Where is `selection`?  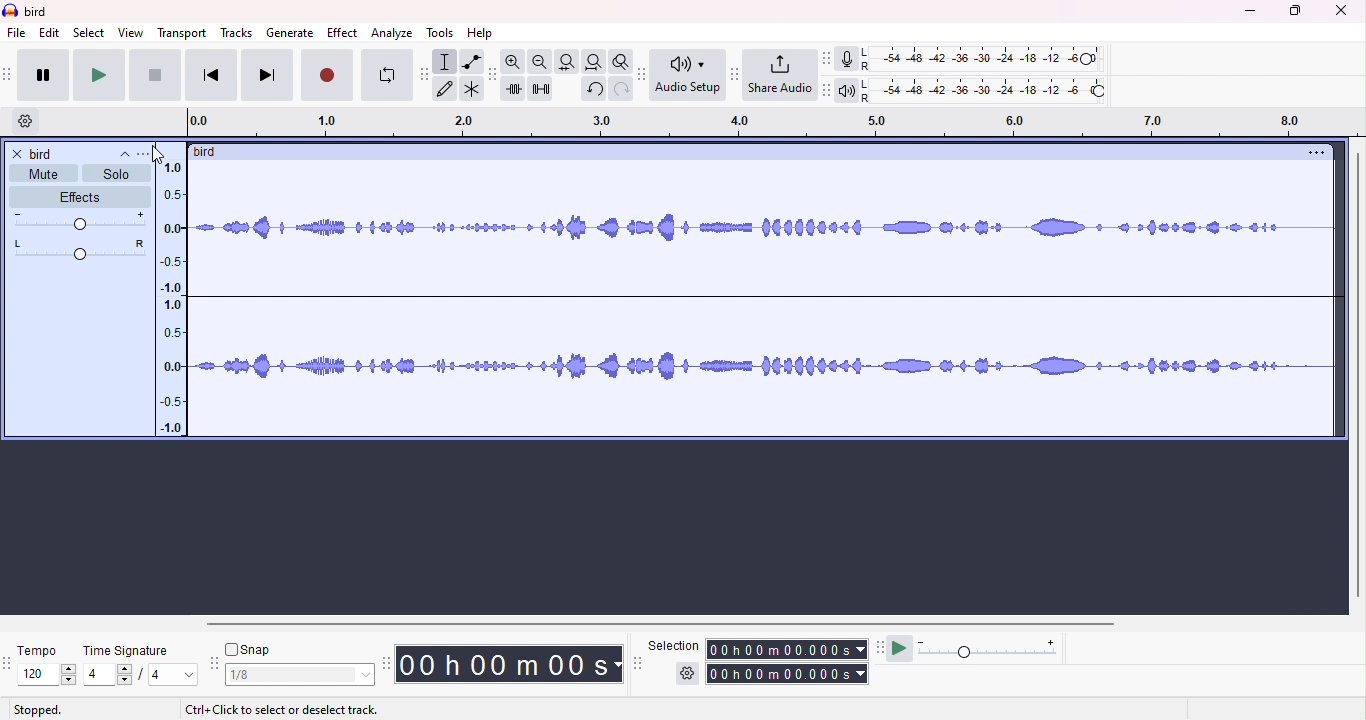 selection is located at coordinates (447, 61).